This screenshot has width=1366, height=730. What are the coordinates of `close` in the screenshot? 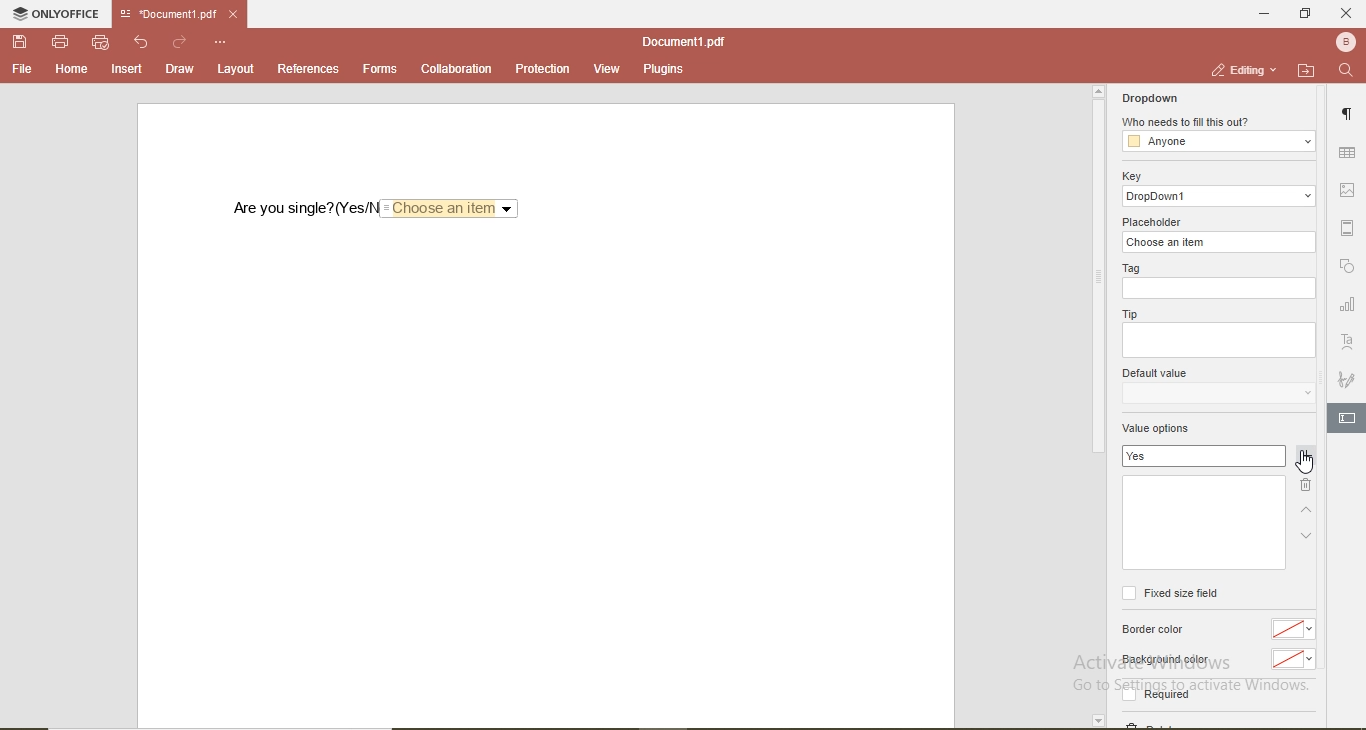 It's located at (1347, 14).